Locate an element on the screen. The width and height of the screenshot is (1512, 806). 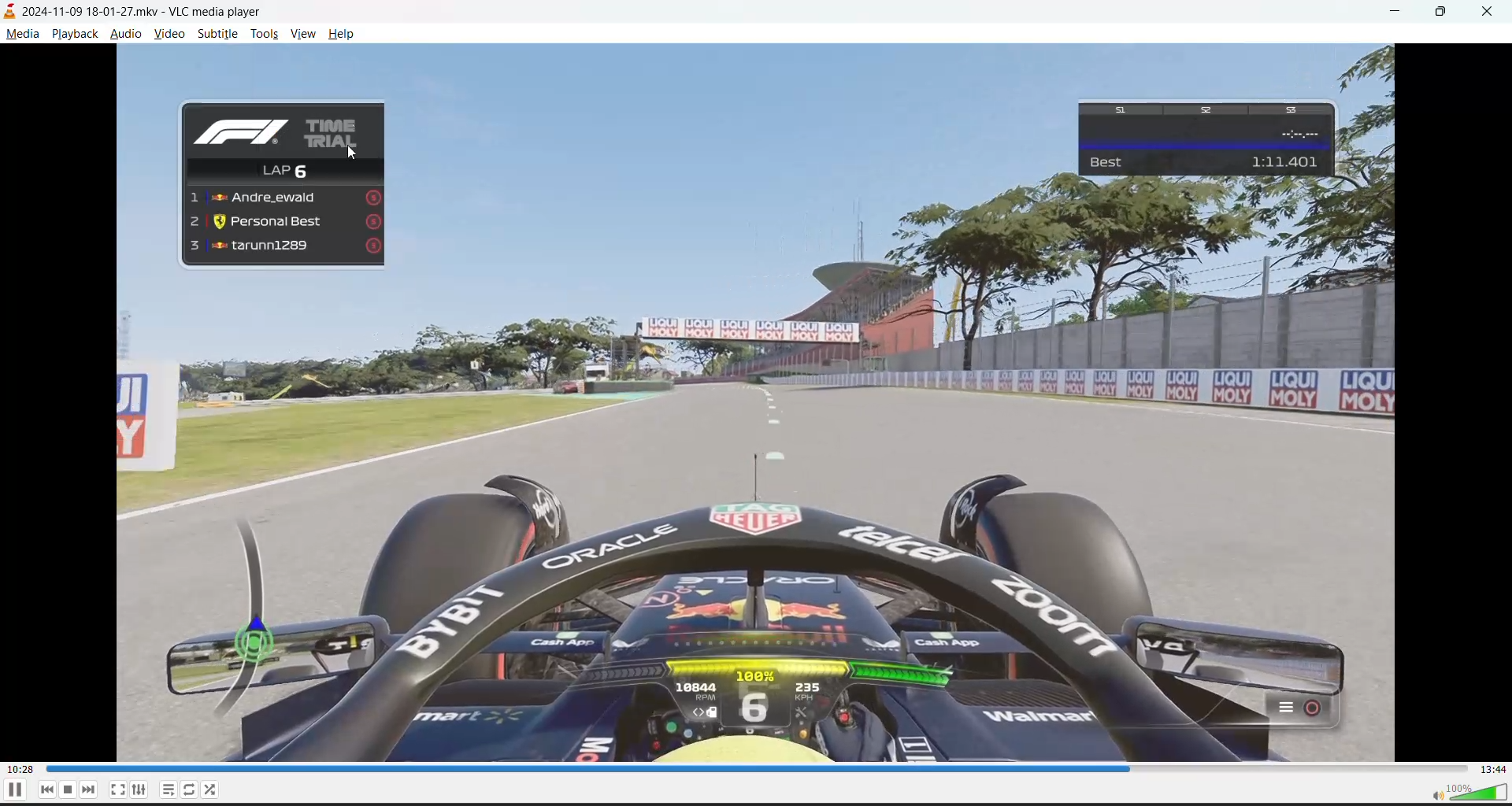
preview is located at coordinates (1209, 224).